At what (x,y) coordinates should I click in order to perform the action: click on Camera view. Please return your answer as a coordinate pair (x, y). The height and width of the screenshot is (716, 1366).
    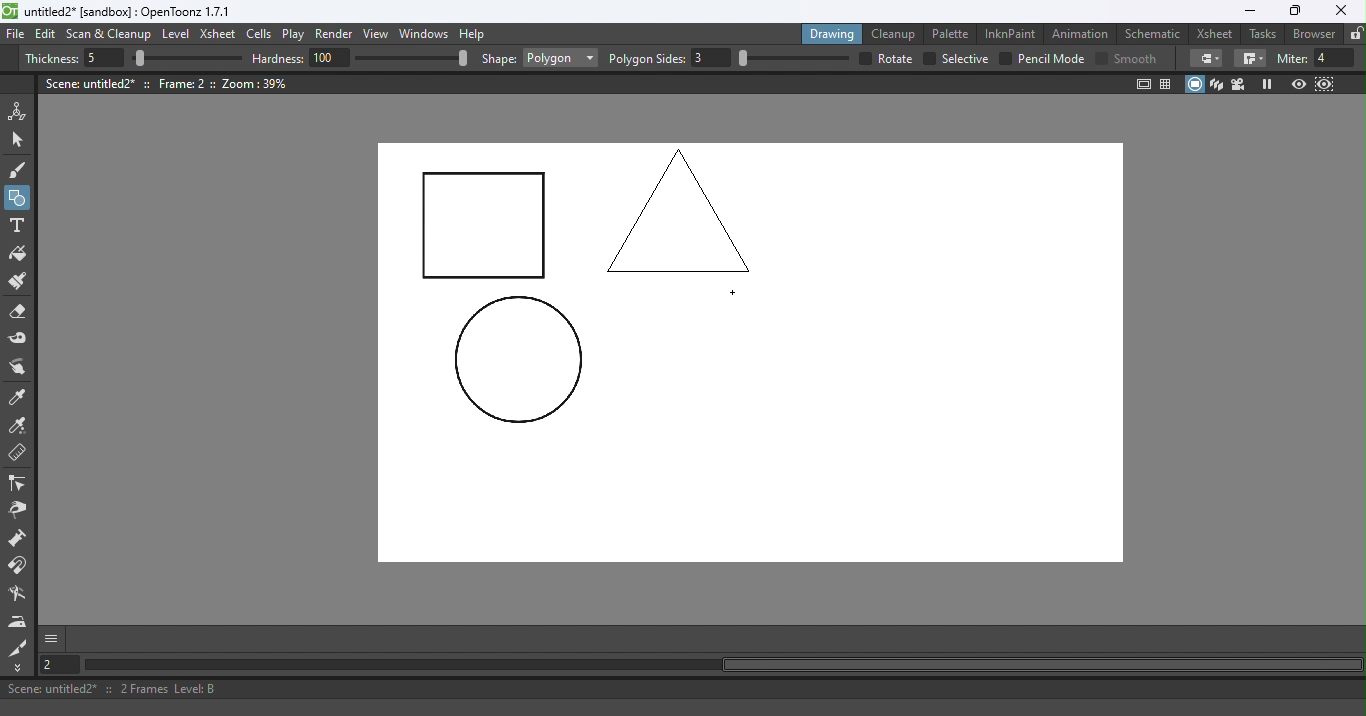
    Looking at the image, I should click on (1241, 83).